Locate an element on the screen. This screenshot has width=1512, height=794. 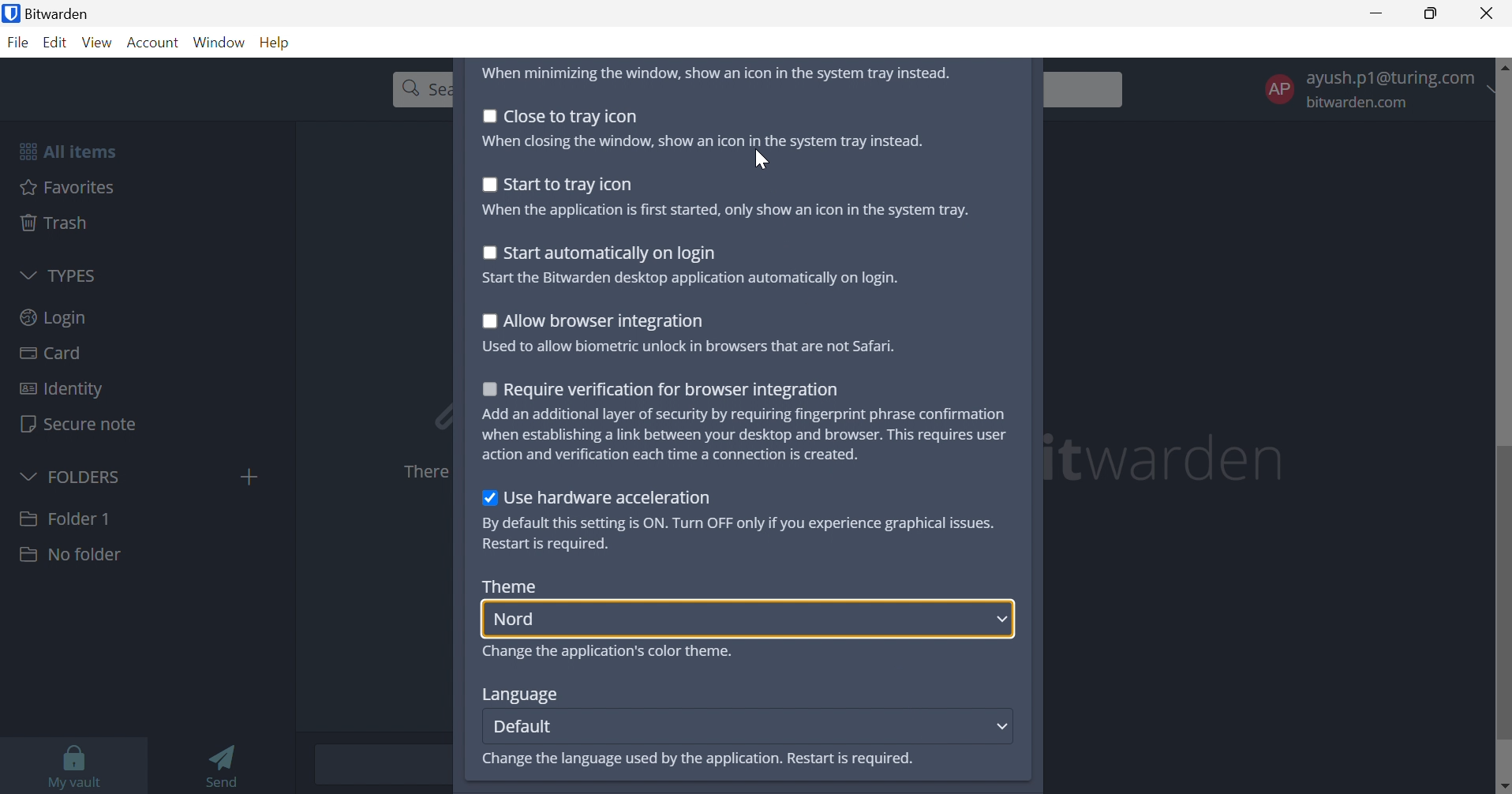
Default is located at coordinates (530, 620).